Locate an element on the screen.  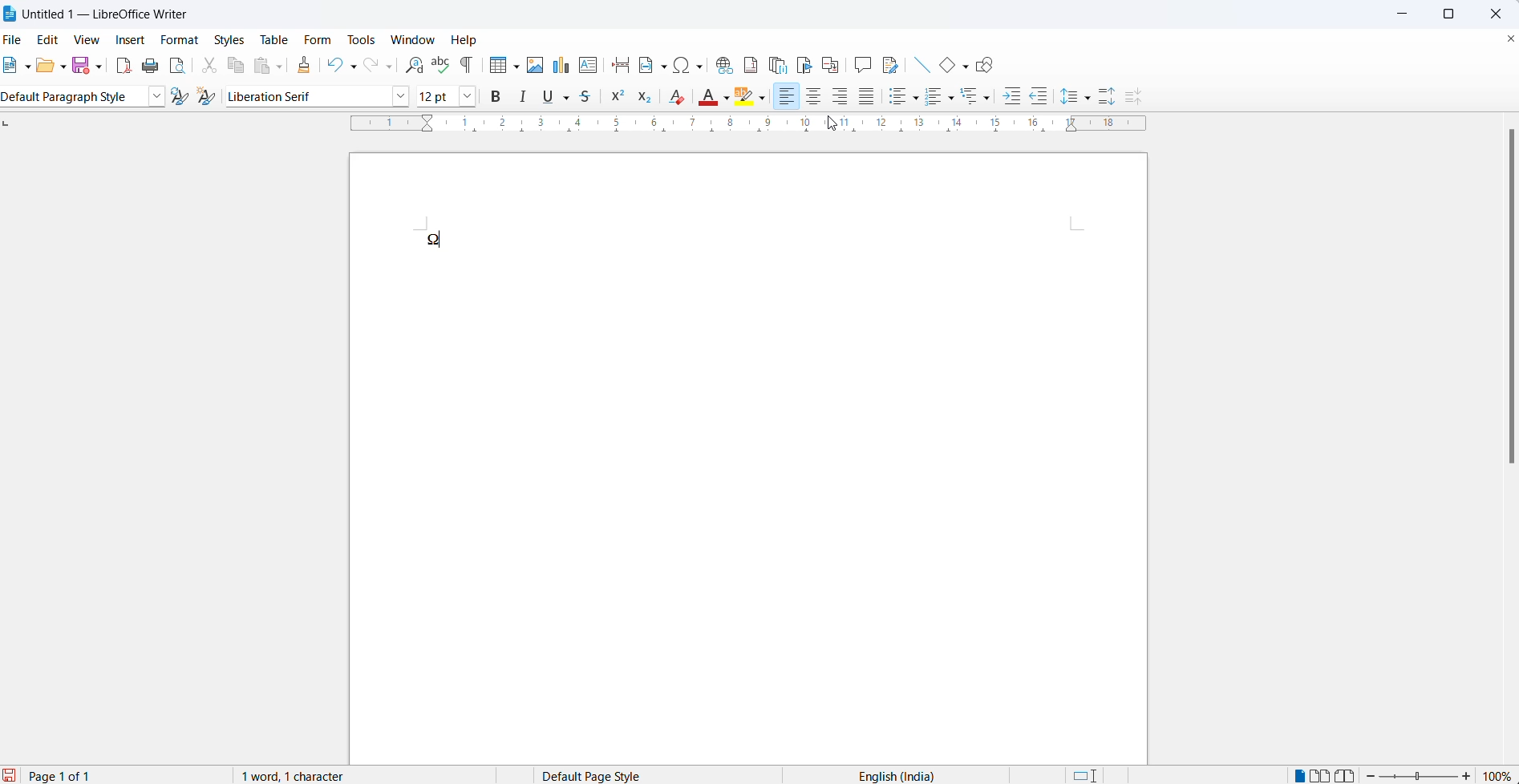
inert cross-reference` is located at coordinates (834, 64).